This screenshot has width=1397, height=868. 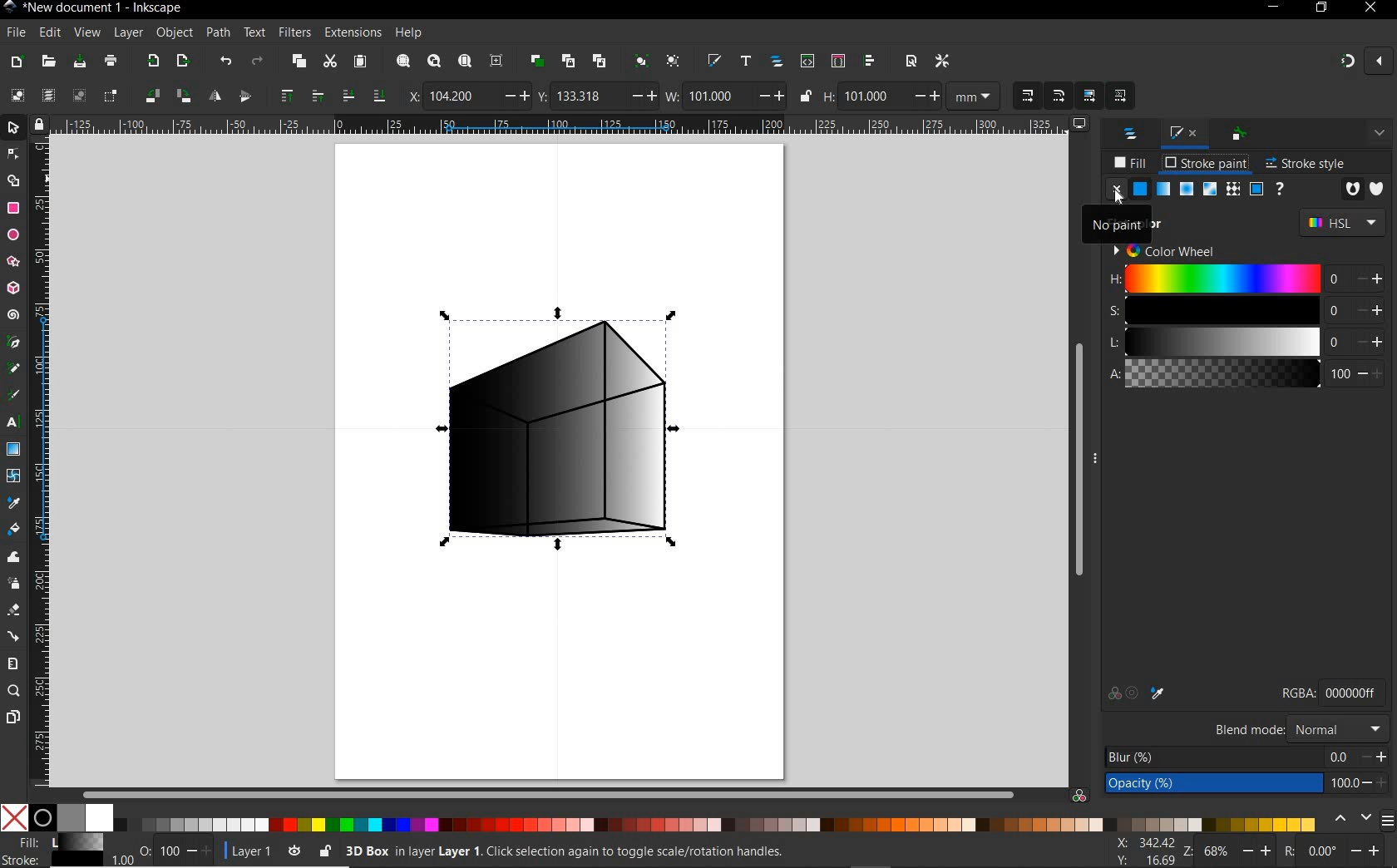 What do you see at coordinates (466, 62) in the screenshot?
I see `ZOOM PAGE` at bounding box center [466, 62].